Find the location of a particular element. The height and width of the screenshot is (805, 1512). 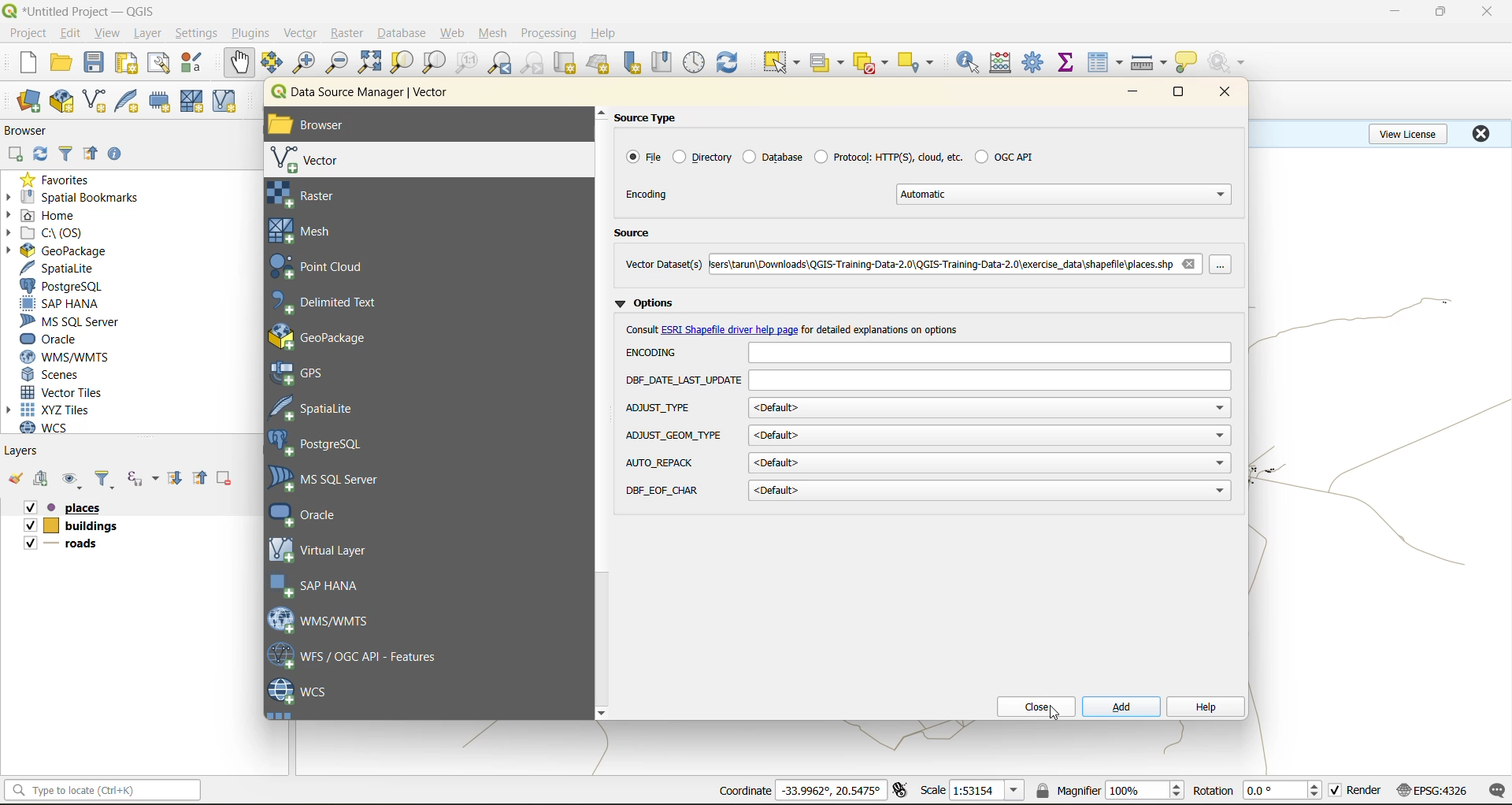

sap hana is located at coordinates (318, 586).